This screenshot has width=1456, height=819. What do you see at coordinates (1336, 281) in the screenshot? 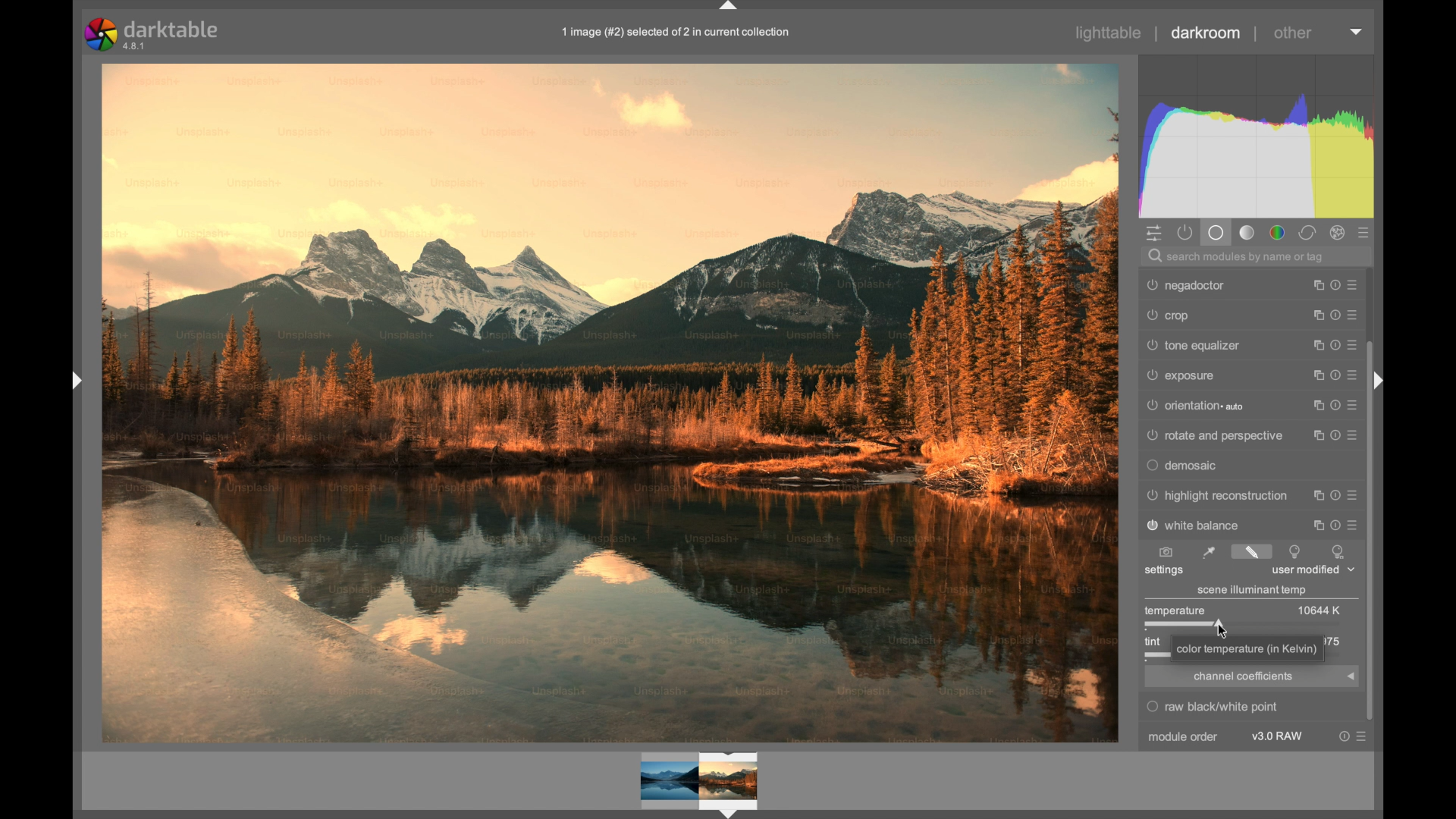
I see `reset parameters` at bounding box center [1336, 281].